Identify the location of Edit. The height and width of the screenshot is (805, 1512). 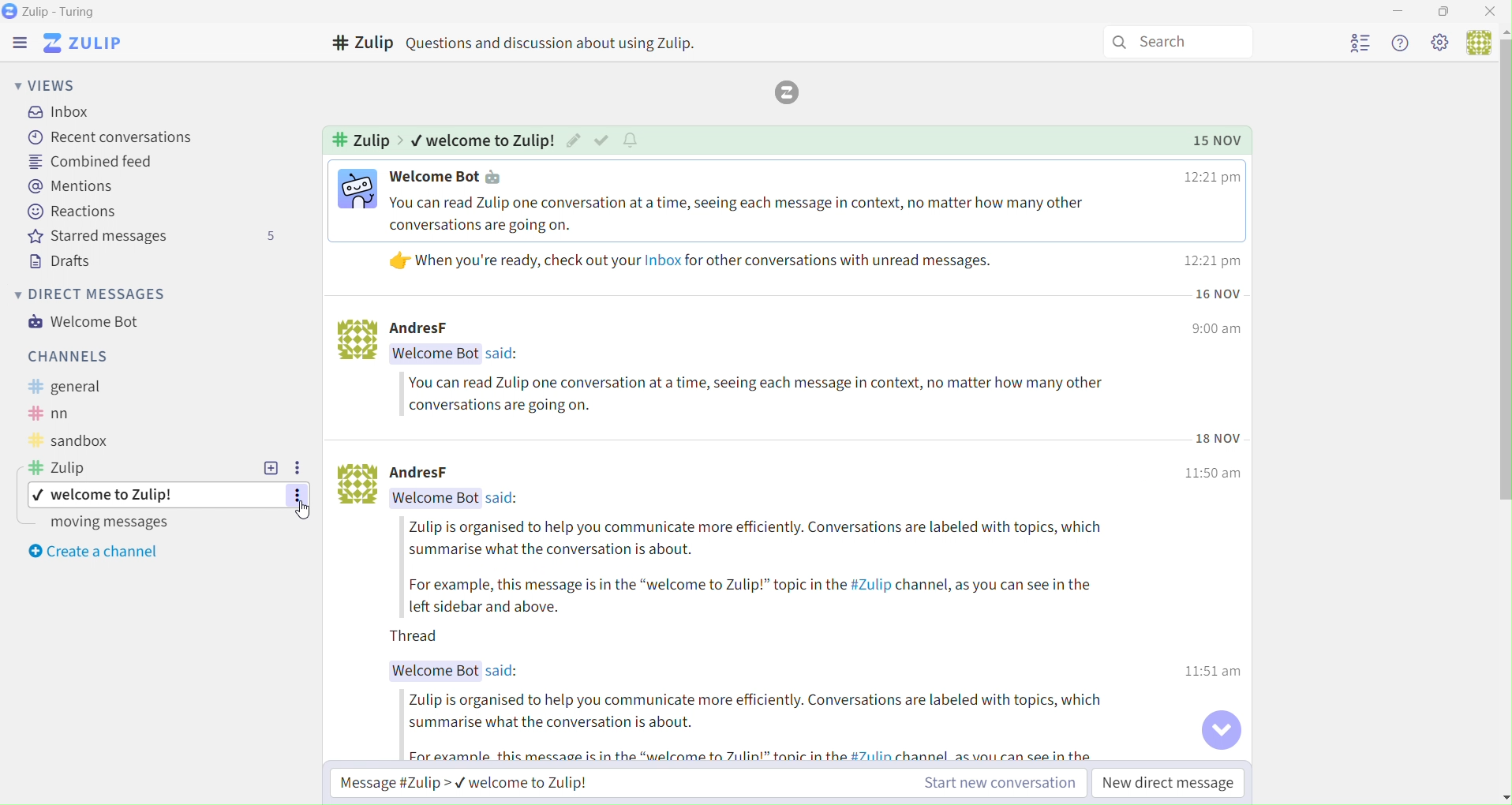
(572, 140).